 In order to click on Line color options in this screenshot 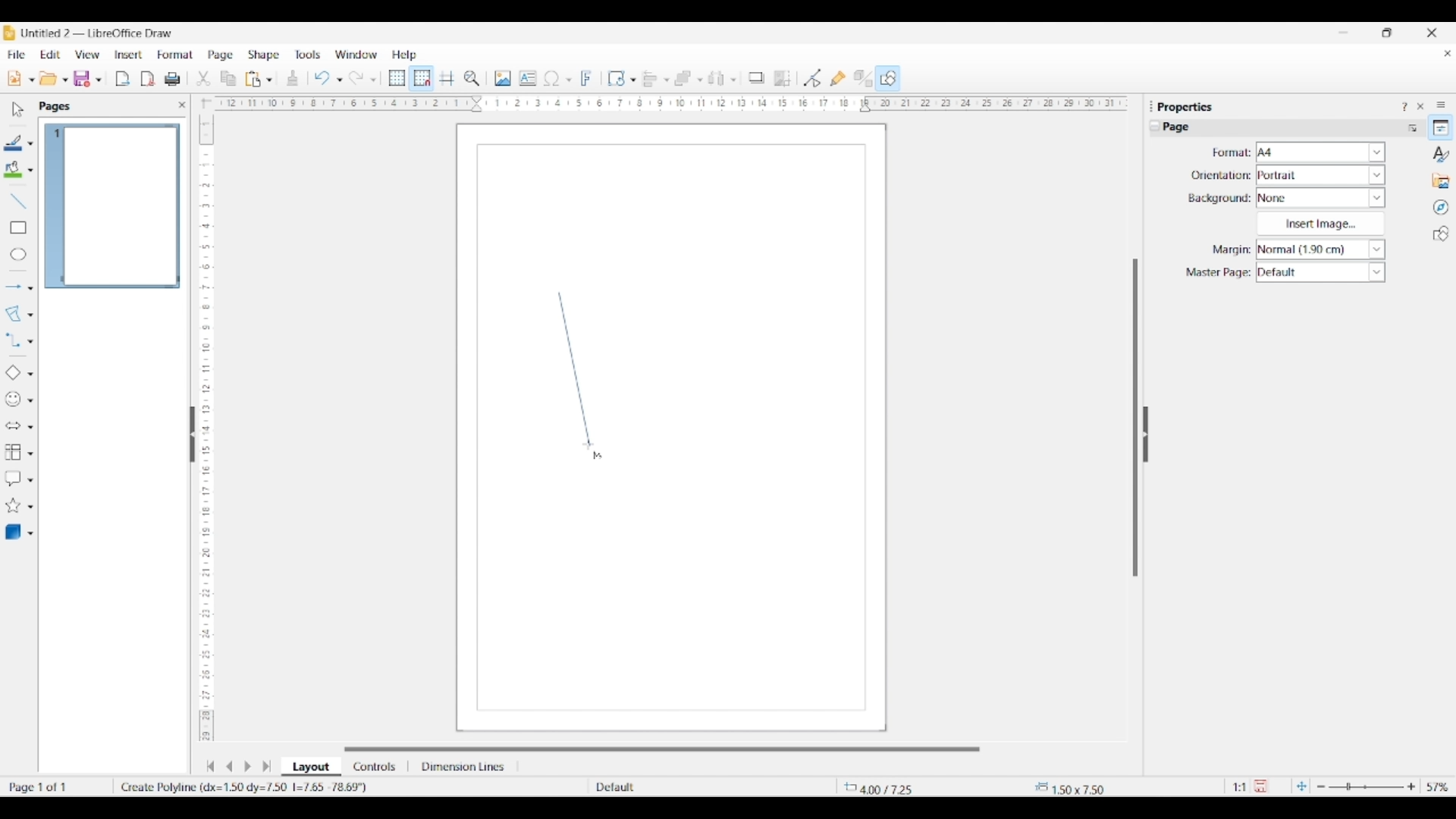, I will do `click(30, 144)`.